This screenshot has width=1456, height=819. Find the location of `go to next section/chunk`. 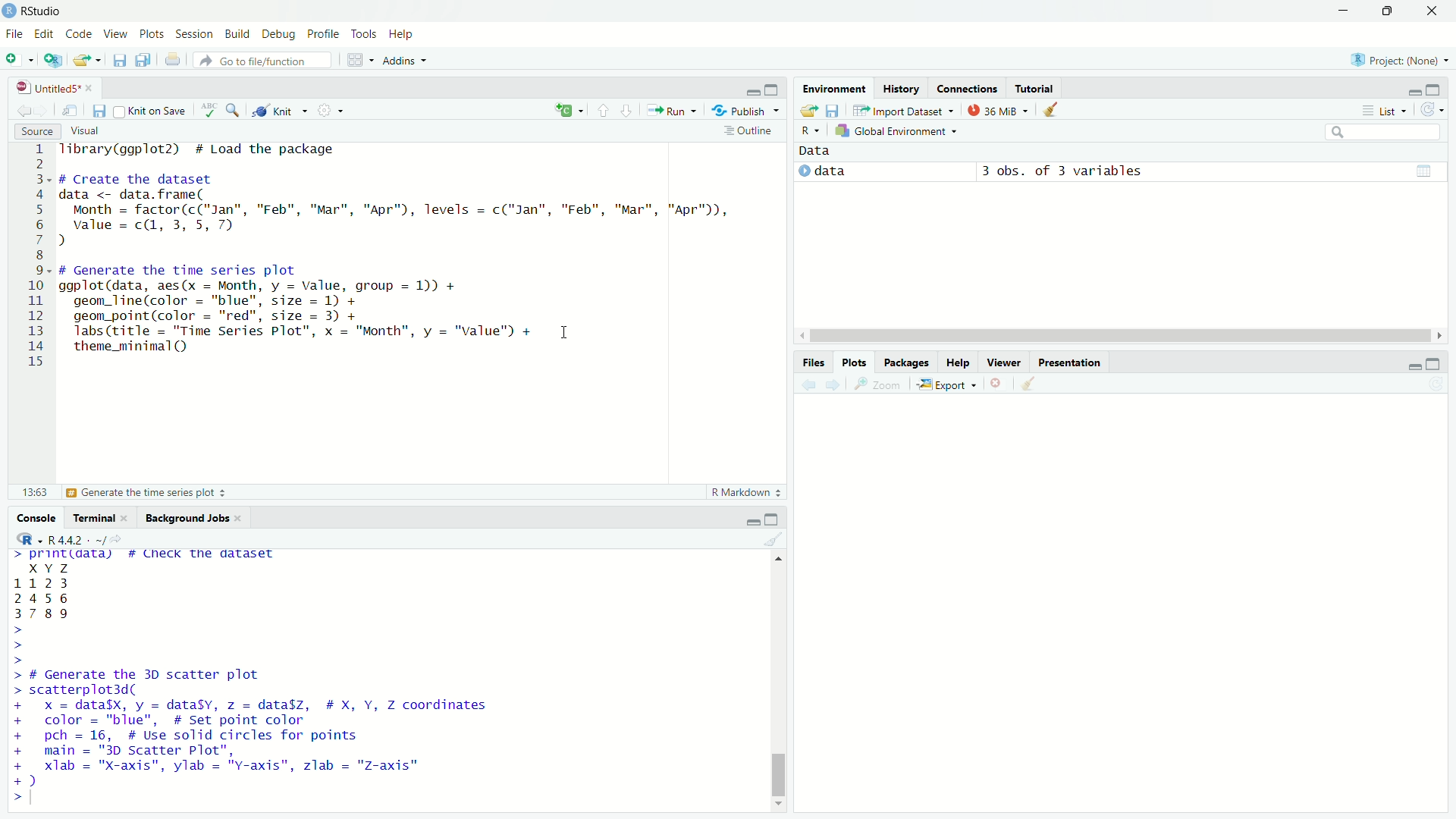

go to next section/chunk is located at coordinates (626, 111).